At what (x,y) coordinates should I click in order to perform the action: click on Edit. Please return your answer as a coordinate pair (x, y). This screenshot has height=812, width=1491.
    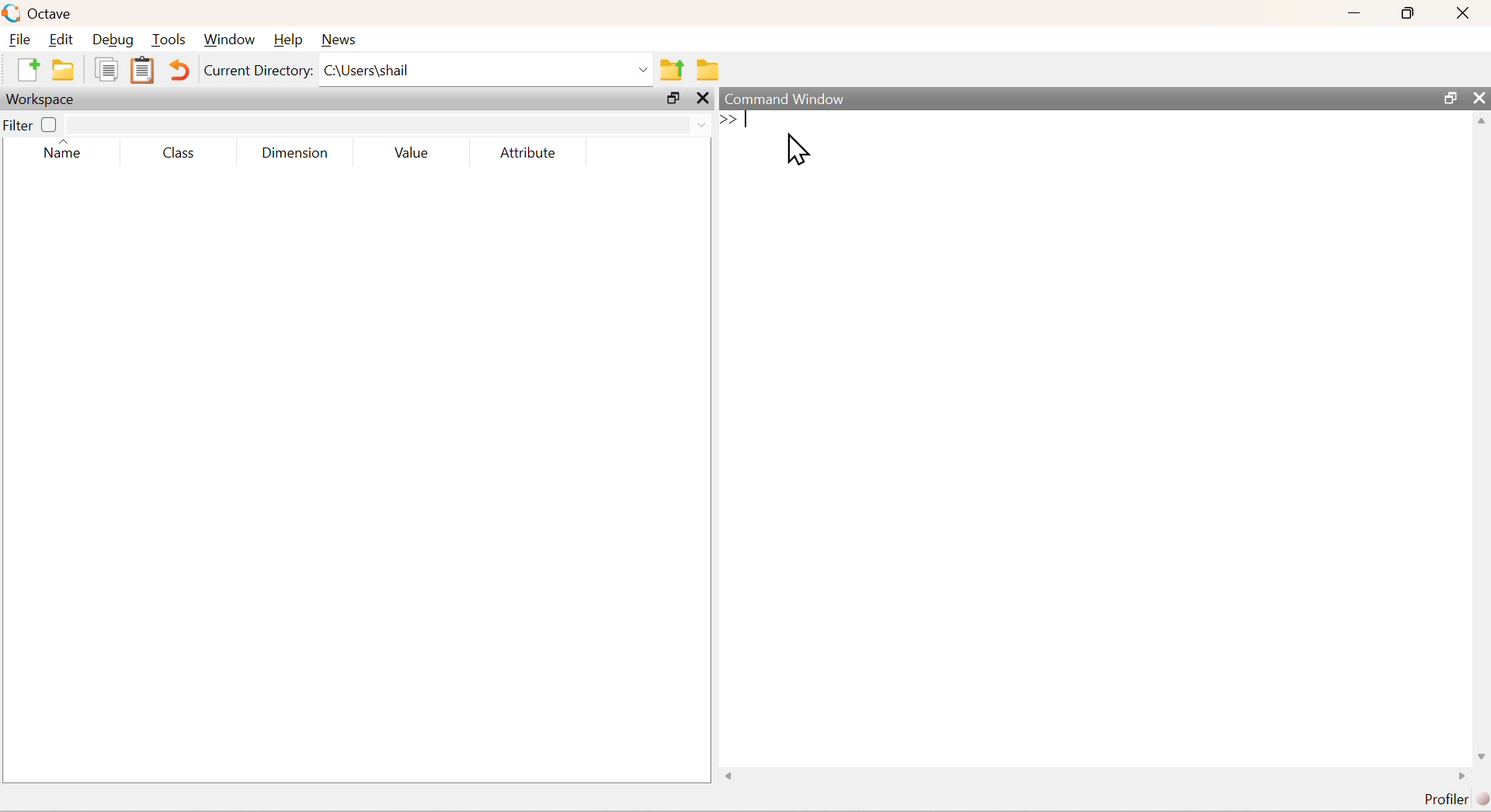
    Looking at the image, I should click on (64, 41).